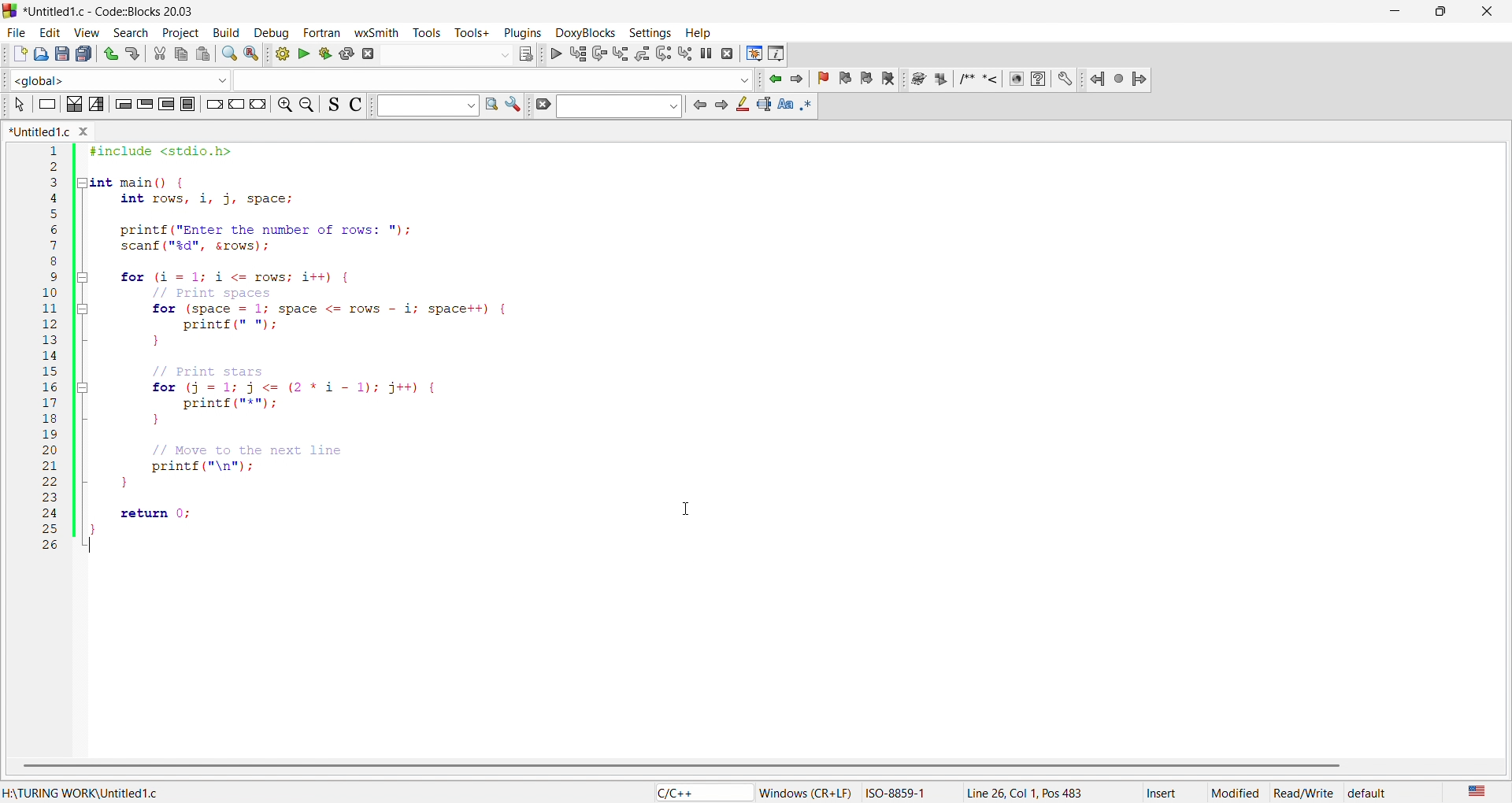 The image size is (1512, 803). I want to click on jump forward, so click(795, 81).